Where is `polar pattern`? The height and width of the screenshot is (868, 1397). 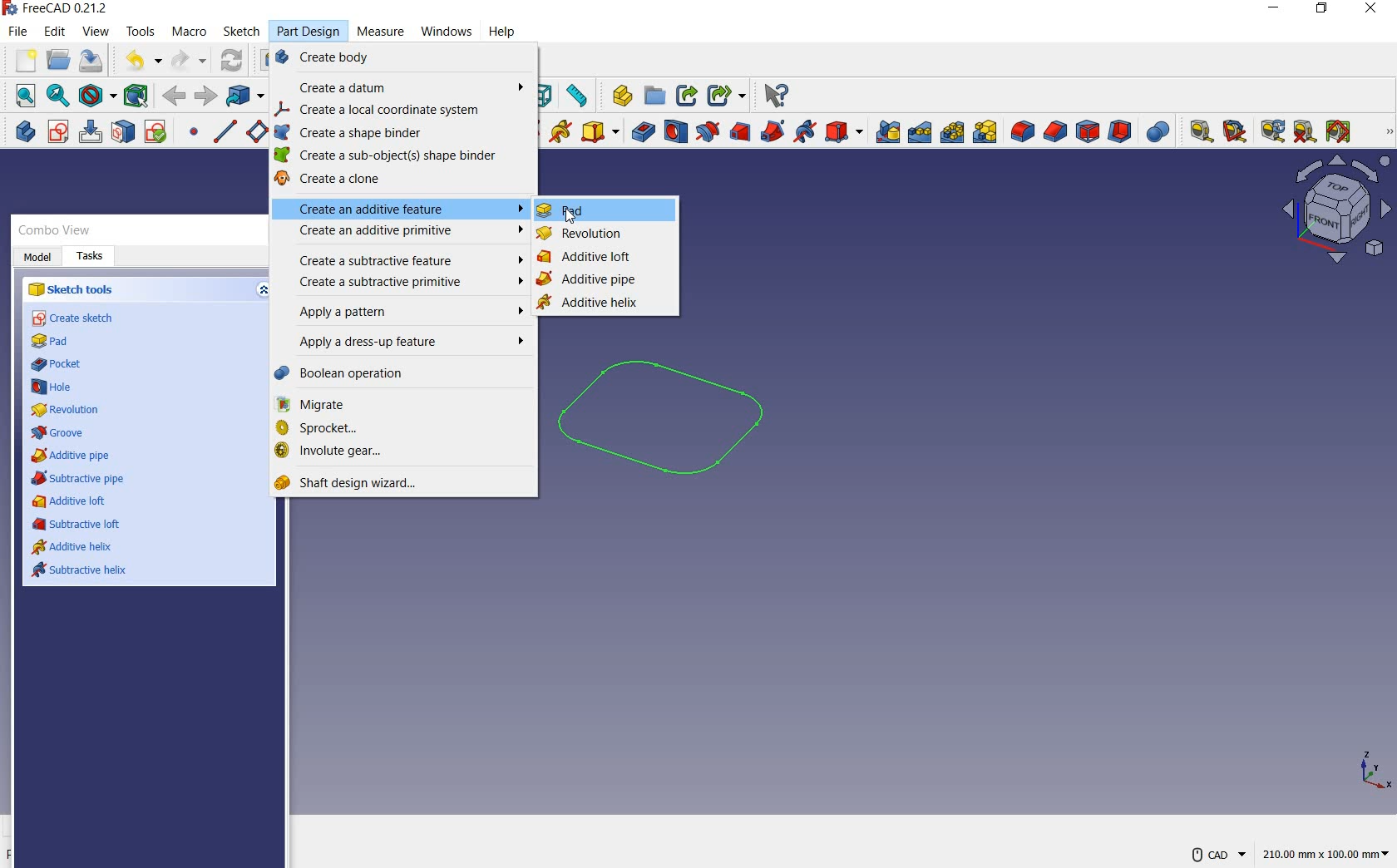
polar pattern is located at coordinates (954, 134).